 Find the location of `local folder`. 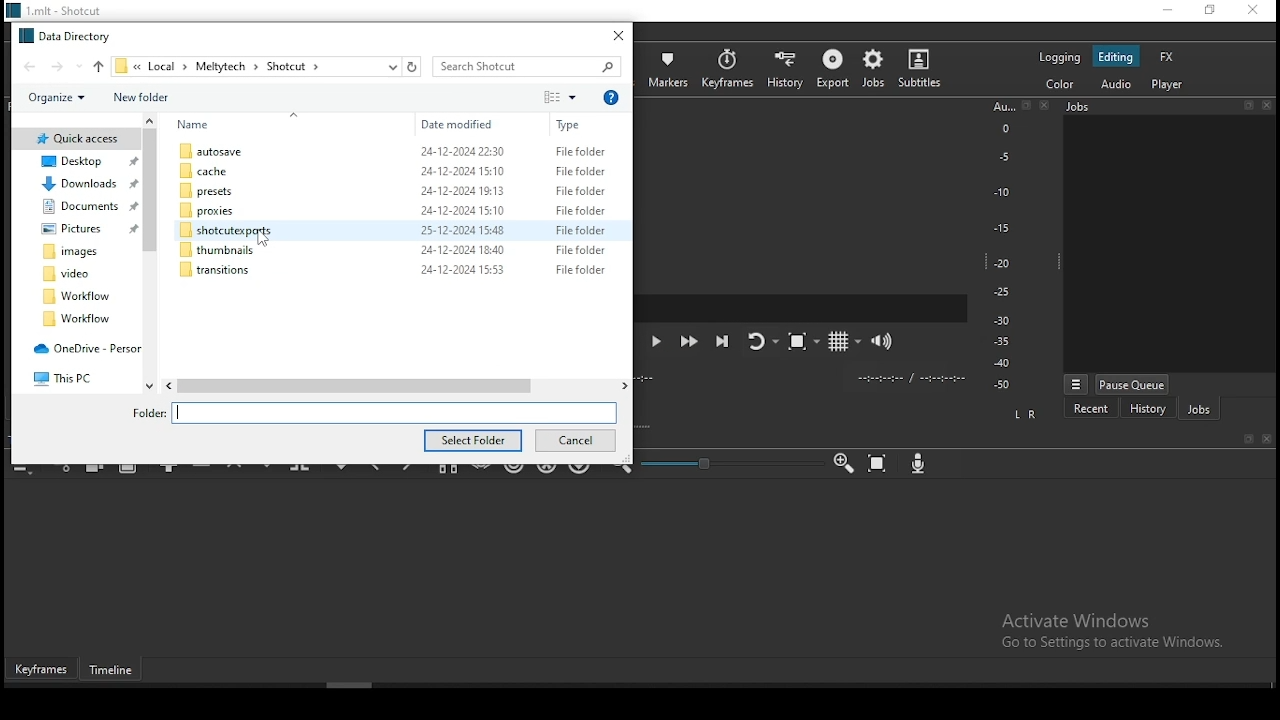

local folder is located at coordinates (71, 274).